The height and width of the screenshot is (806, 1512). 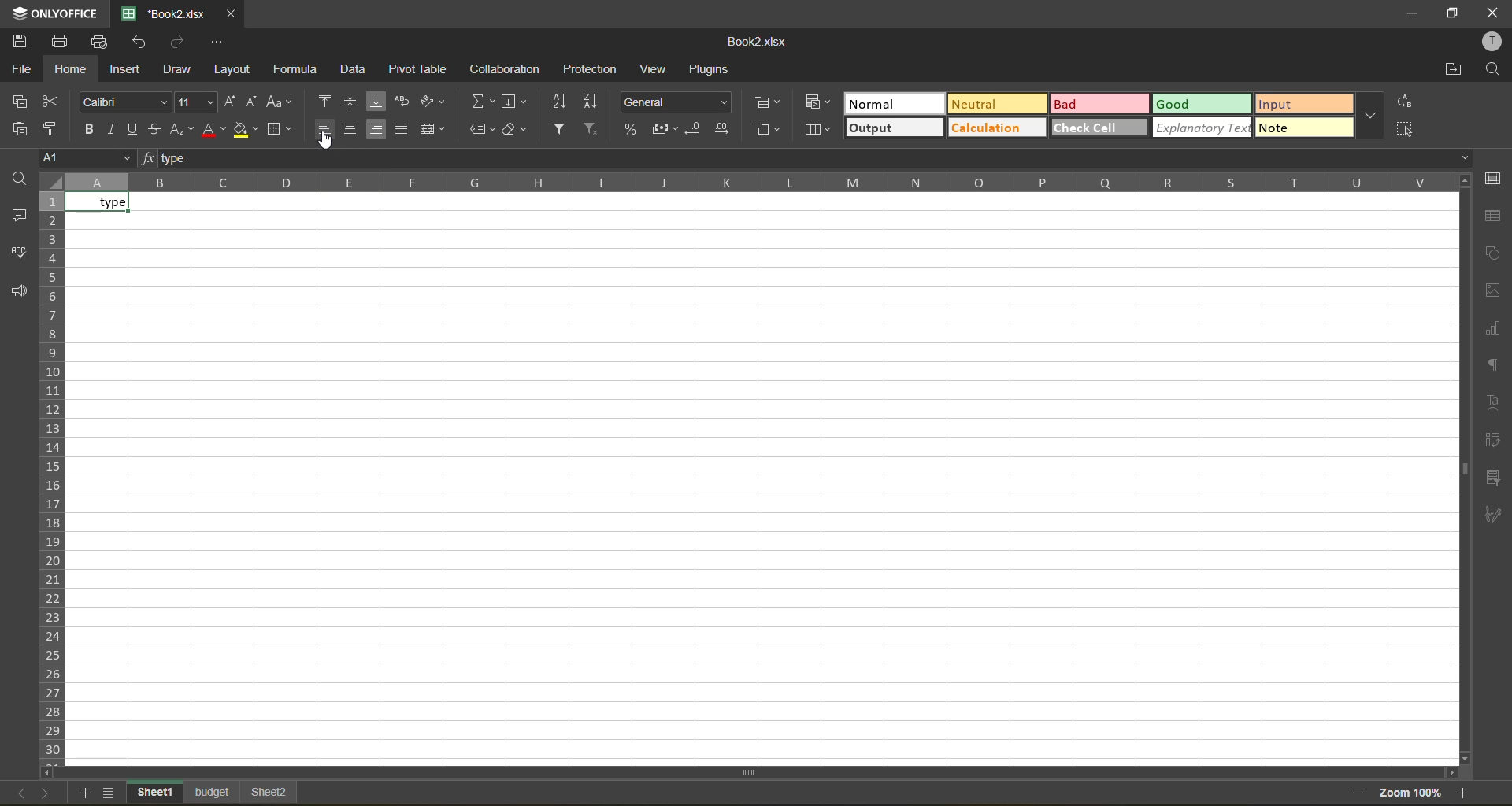 What do you see at coordinates (217, 42) in the screenshot?
I see `customize quick access toolbar` at bounding box center [217, 42].